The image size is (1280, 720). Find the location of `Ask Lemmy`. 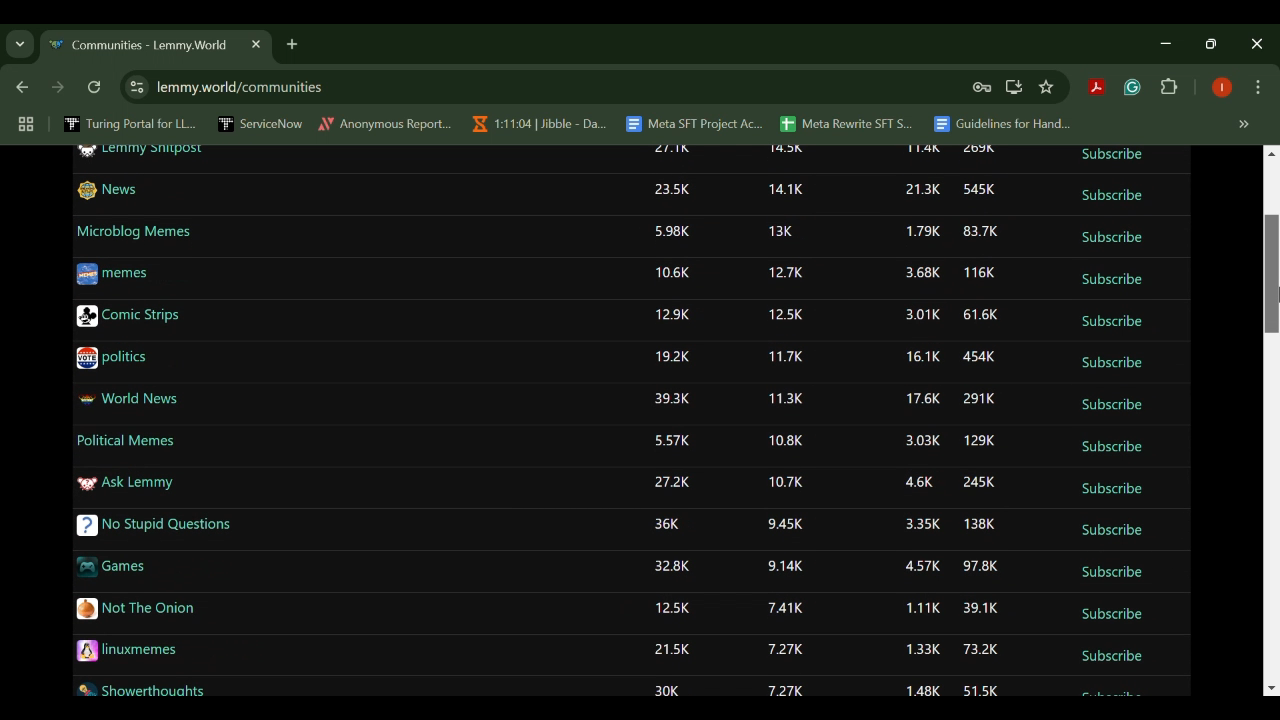

Ask Lemmy is located at coordinates (127, 485).